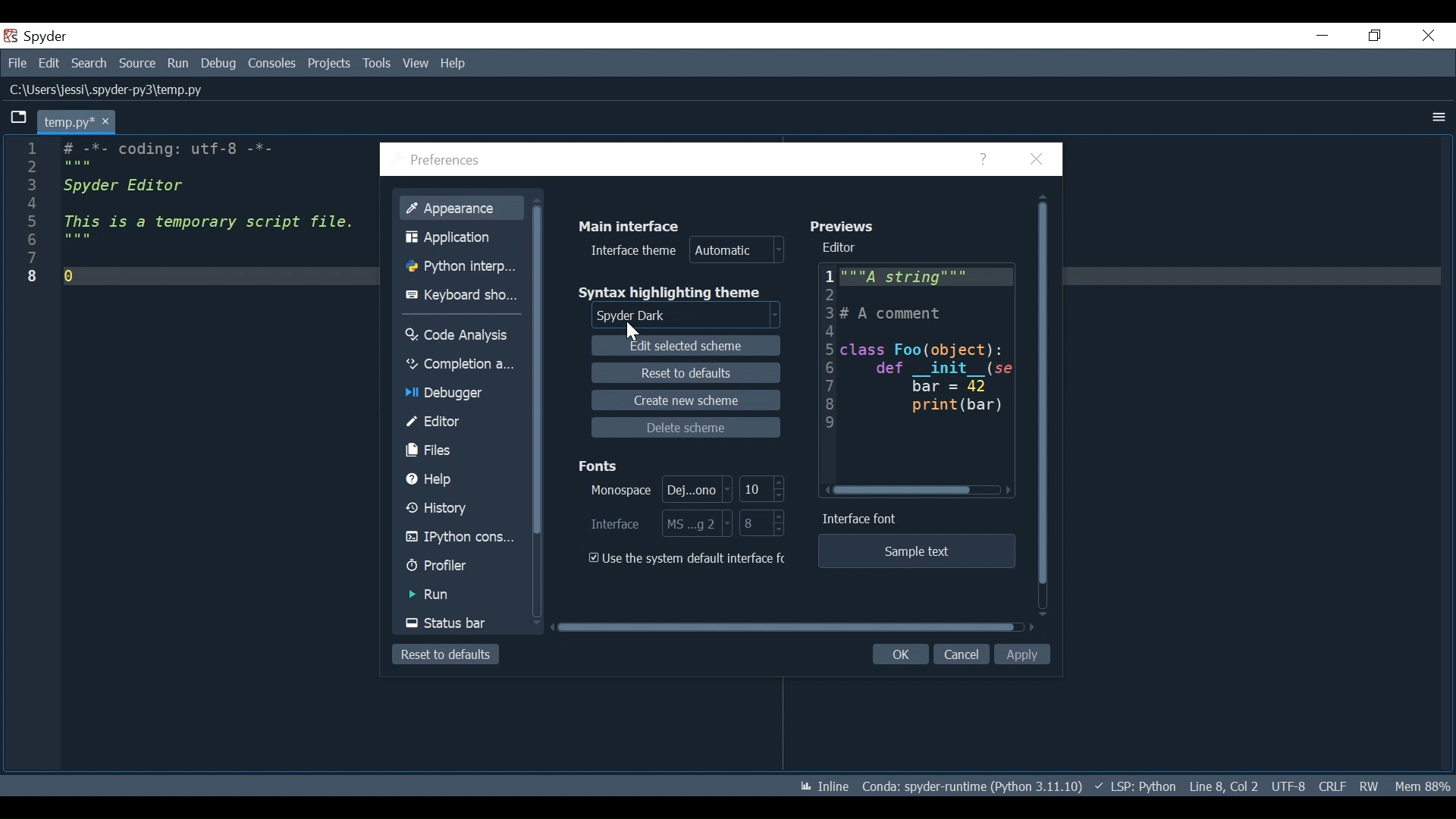  I want to click on Sample text, so click(918, 550).